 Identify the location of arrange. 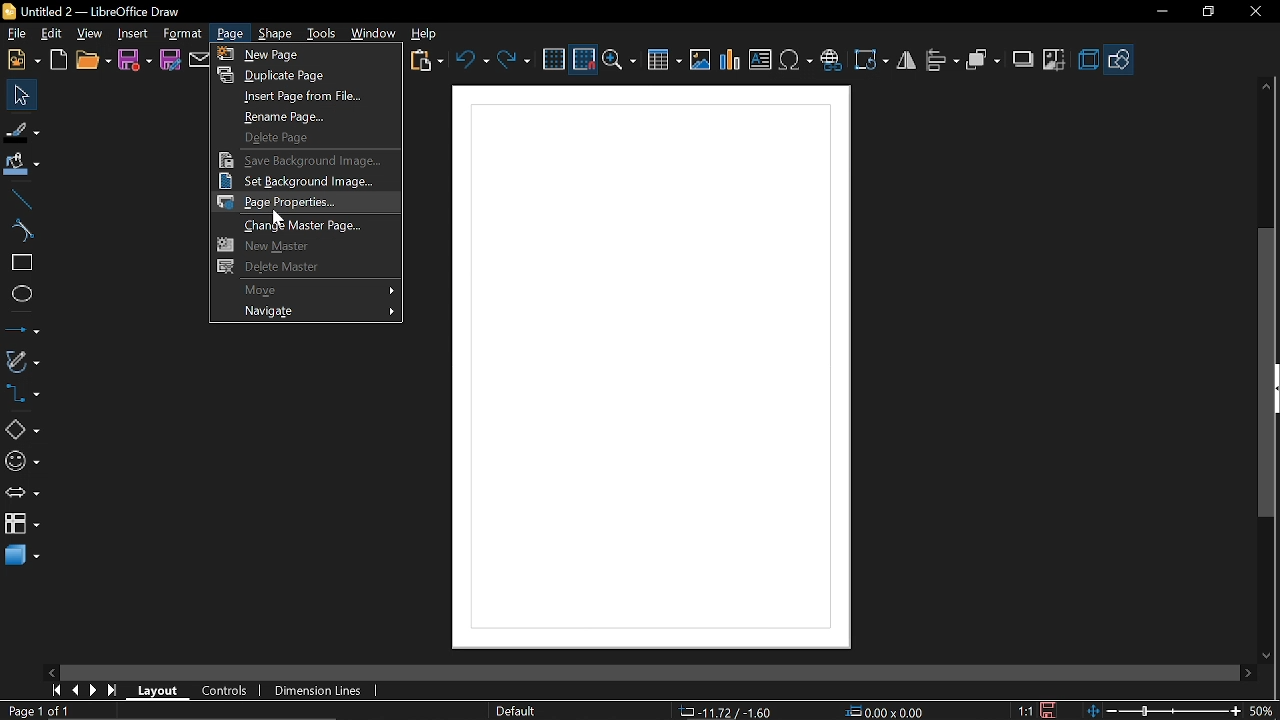
(985, 61).